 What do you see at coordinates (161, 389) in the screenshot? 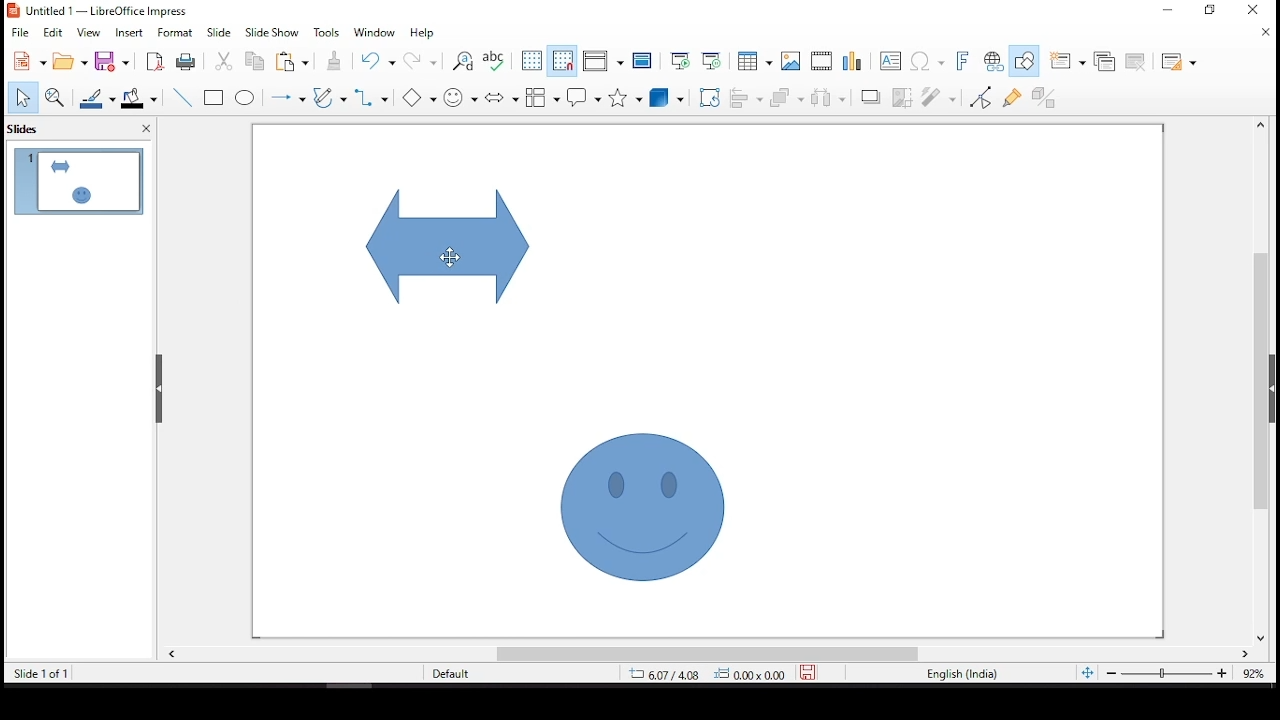
I see `drag handles` at bounding box center [161, 389].